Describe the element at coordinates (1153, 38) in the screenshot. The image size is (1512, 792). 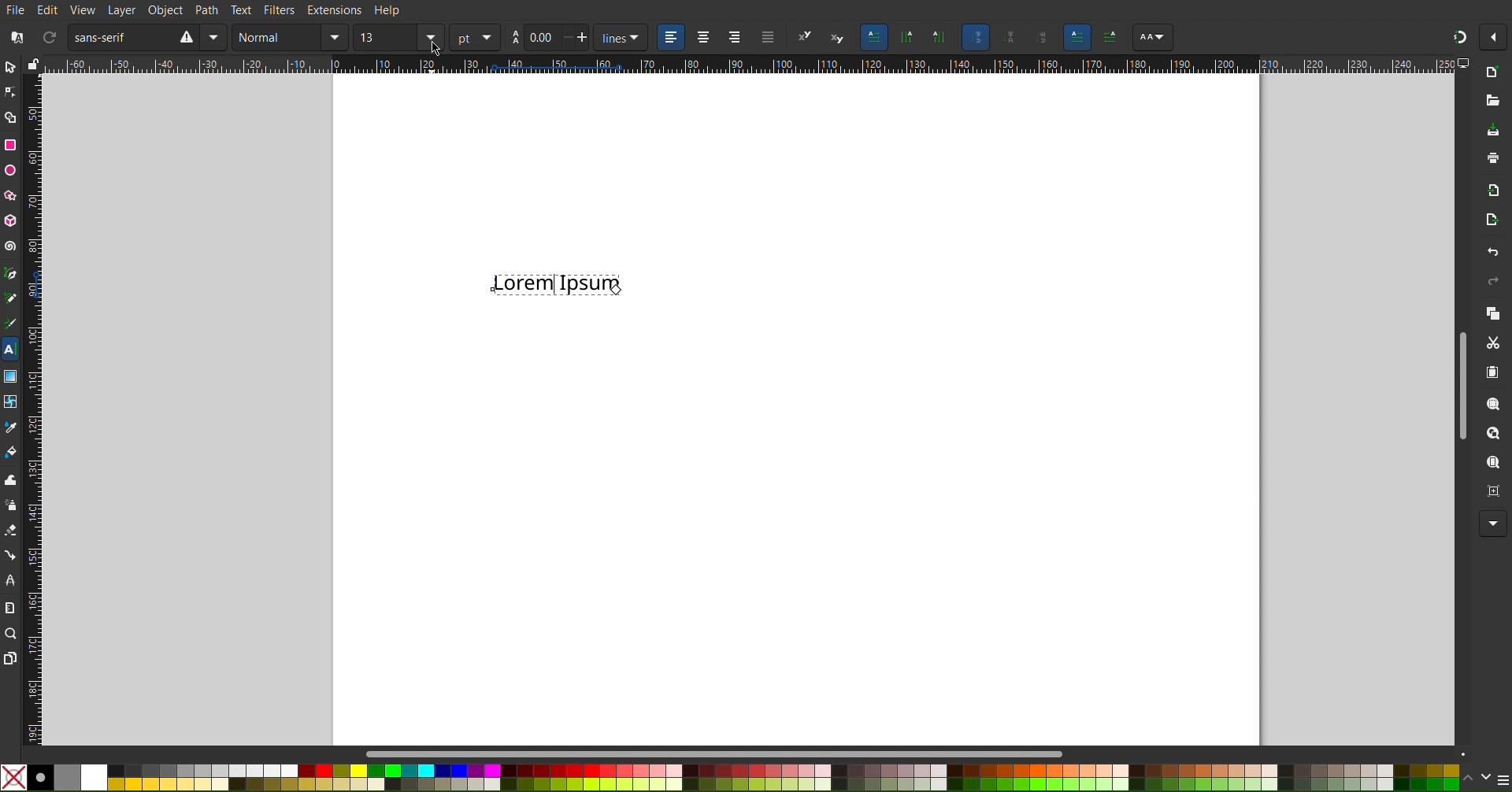
I see `` at that location.